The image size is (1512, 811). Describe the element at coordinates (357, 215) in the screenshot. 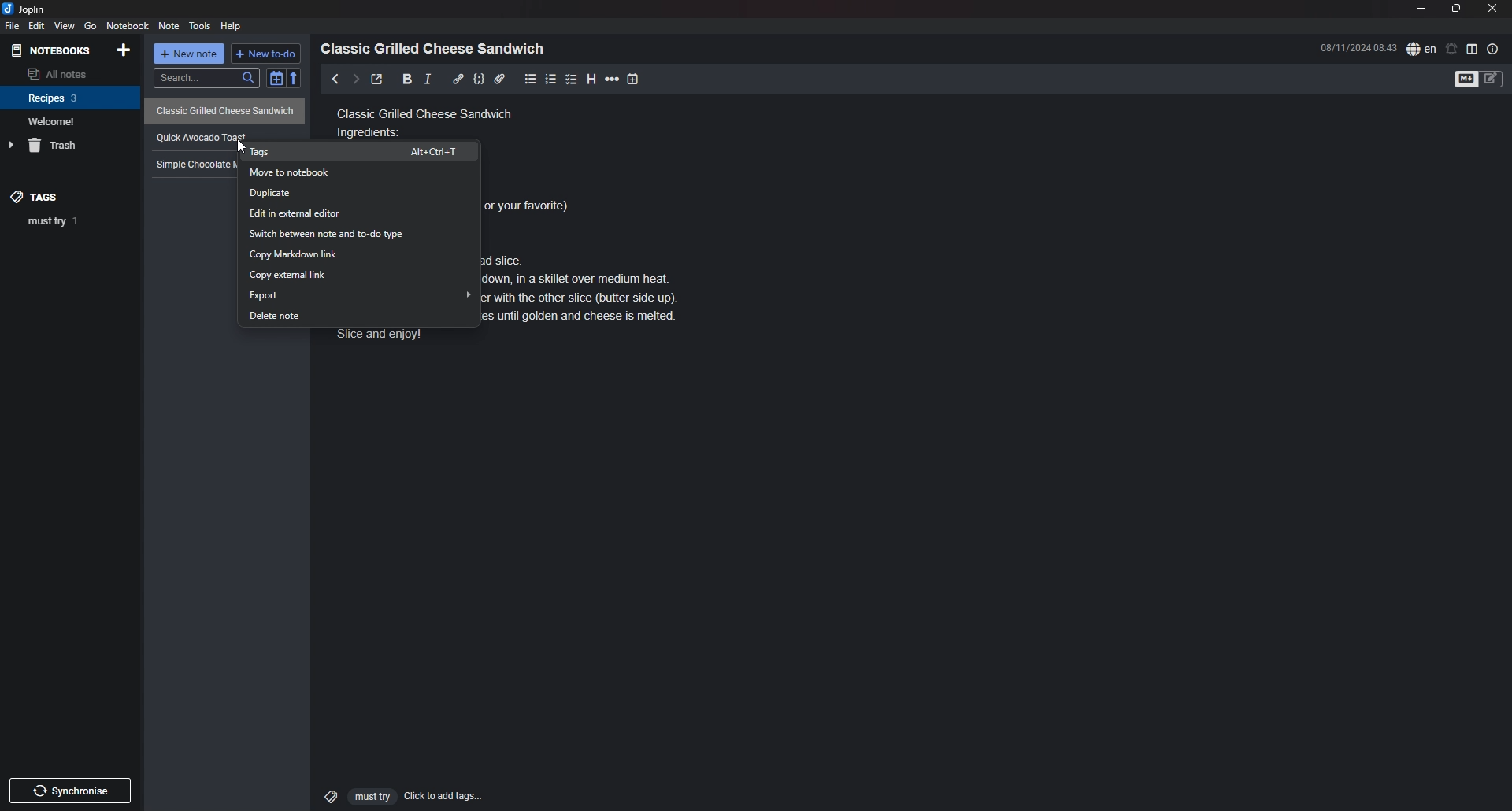

I see `edit in external editor` at that location.